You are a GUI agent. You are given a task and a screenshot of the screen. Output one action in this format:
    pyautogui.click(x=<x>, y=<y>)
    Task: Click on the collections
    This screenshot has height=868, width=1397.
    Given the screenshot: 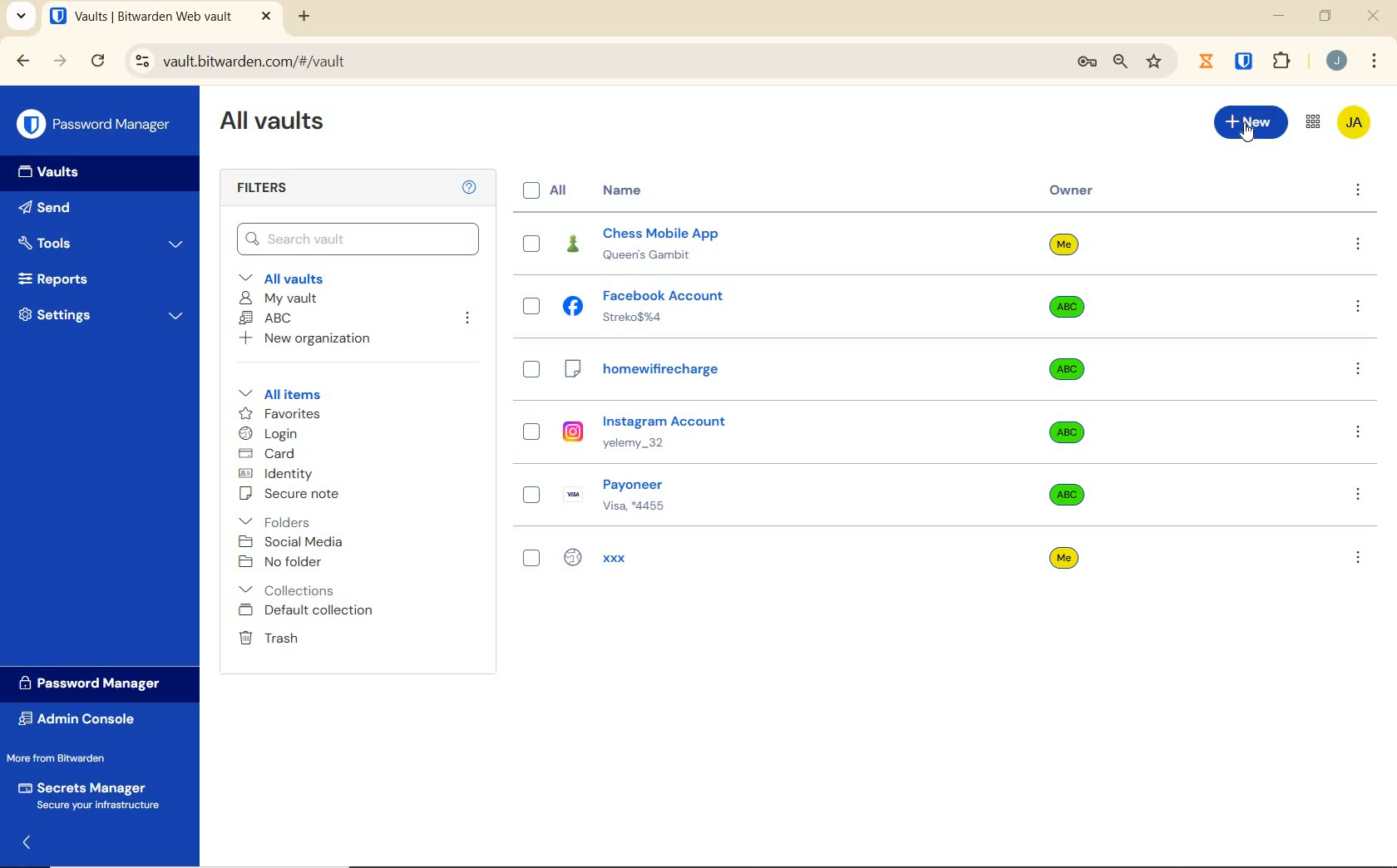 What is the action you would take?
    pyautogui.click(x=289, y=589)
    